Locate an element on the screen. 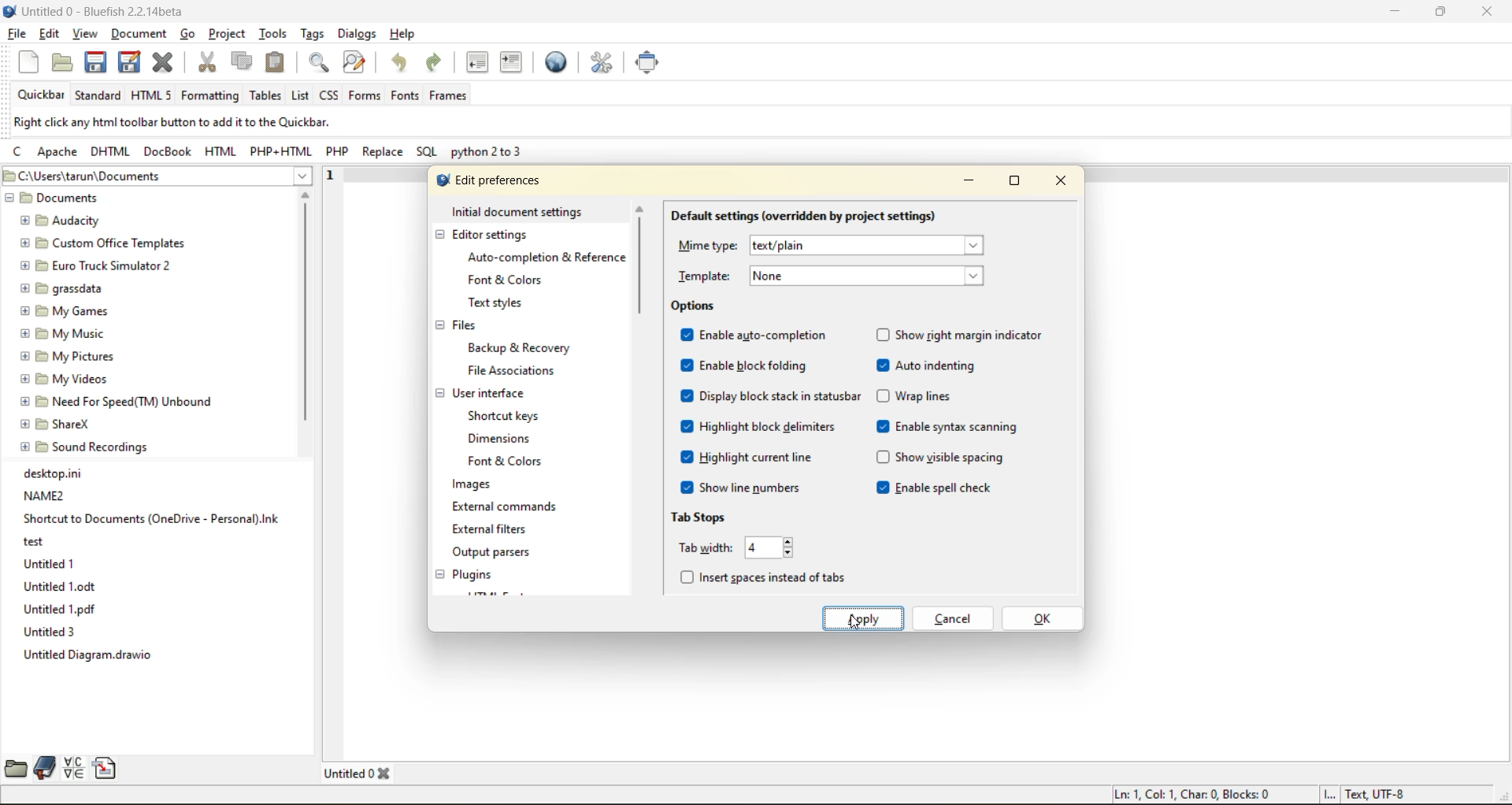 The image size is (1512, 805). cut is located at coordinates (209, 63).